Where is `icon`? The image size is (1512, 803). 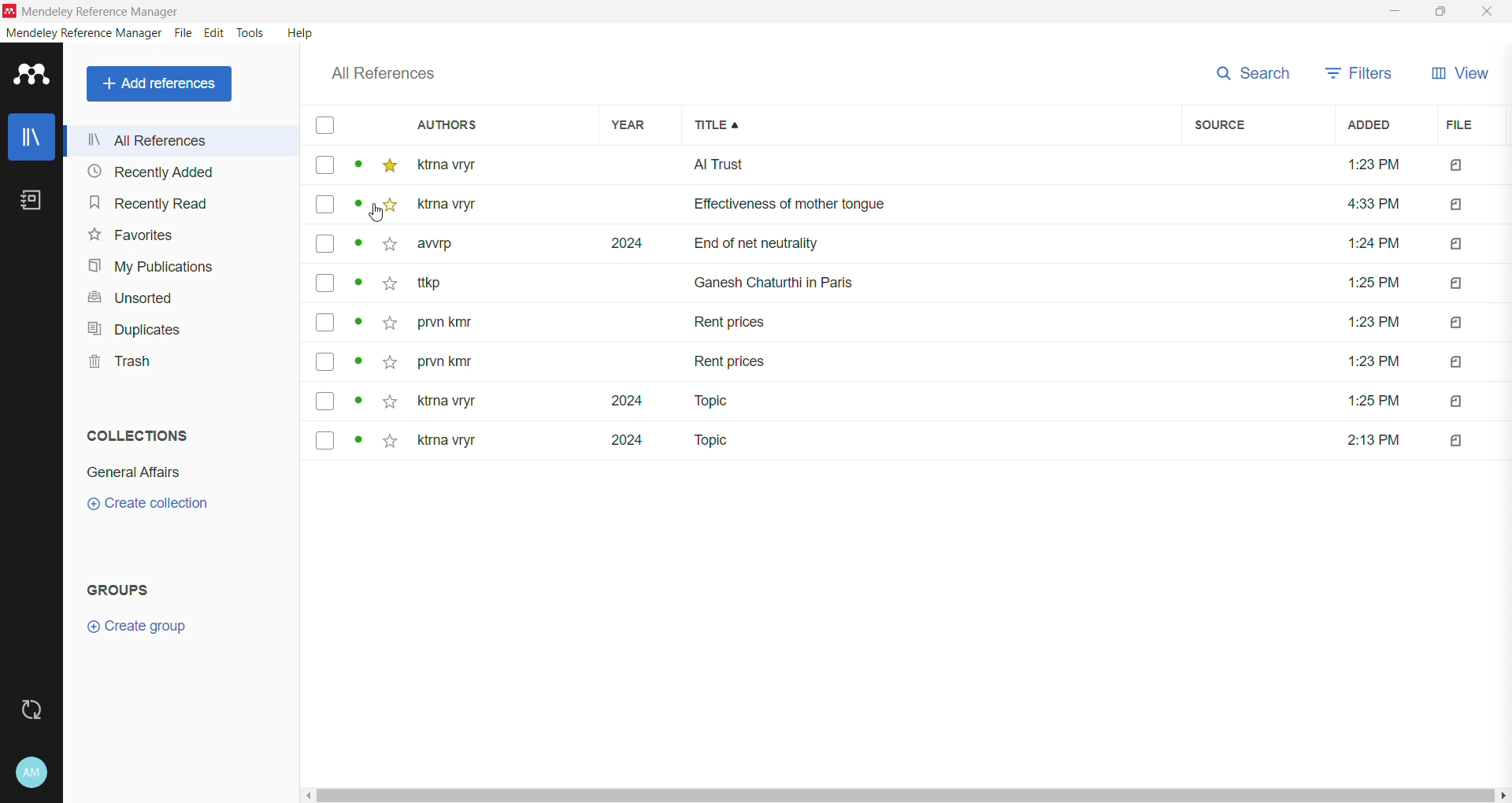 icon is located at coordinates (1457, 436).